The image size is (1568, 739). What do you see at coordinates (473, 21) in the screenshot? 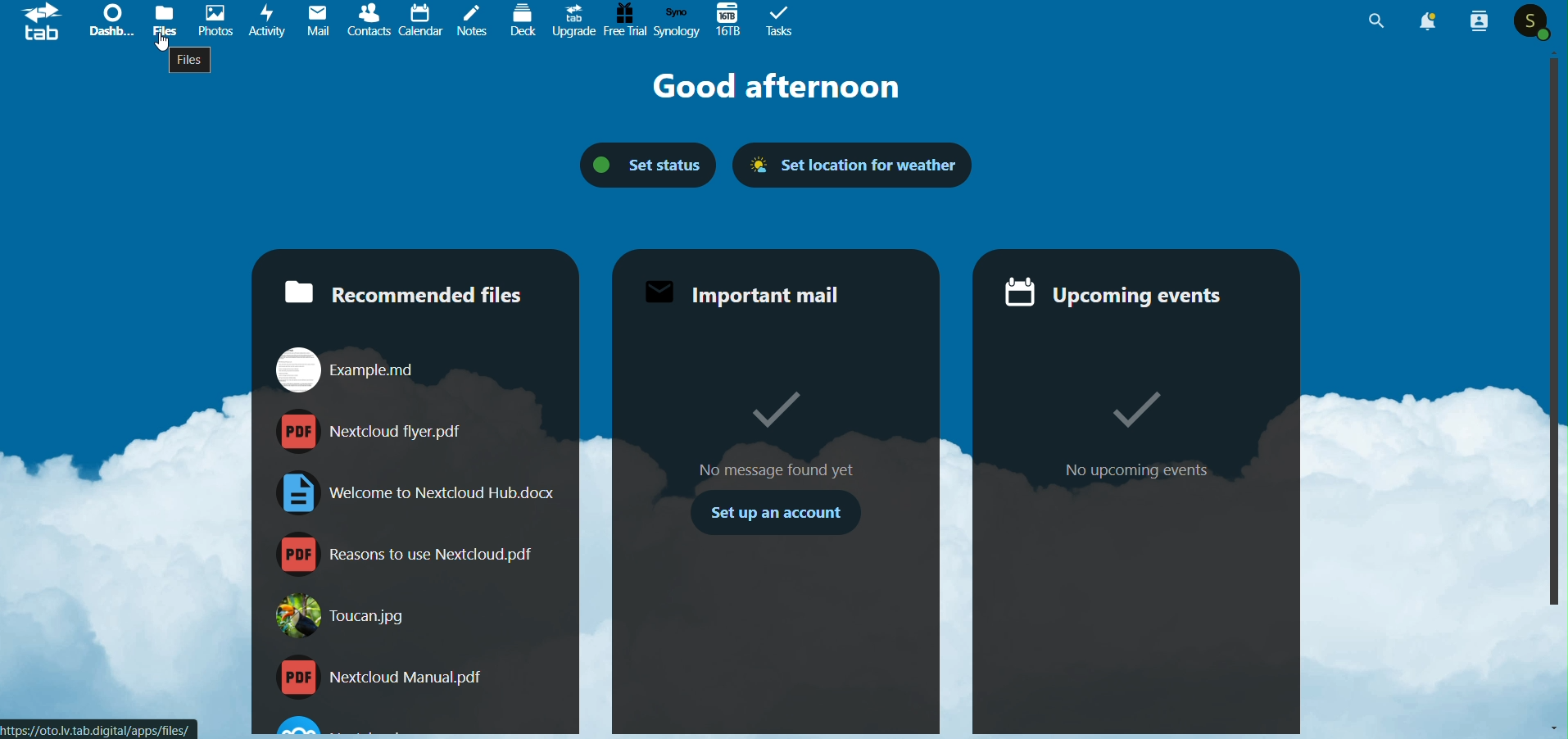
I see `Notes` at bounding box center [473, 21].